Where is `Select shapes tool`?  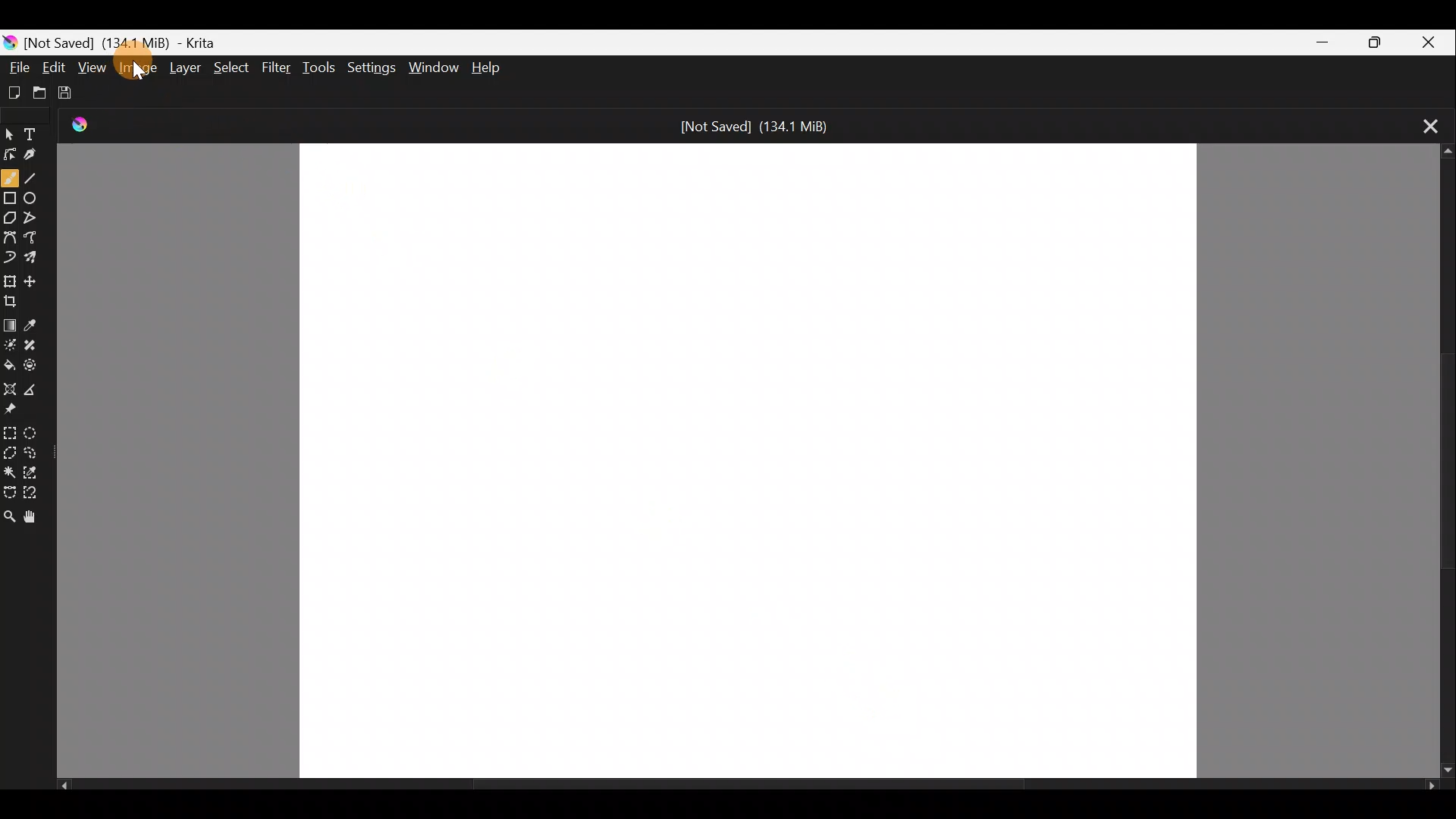 Select shapes tool is located at coordinates (11, 130).